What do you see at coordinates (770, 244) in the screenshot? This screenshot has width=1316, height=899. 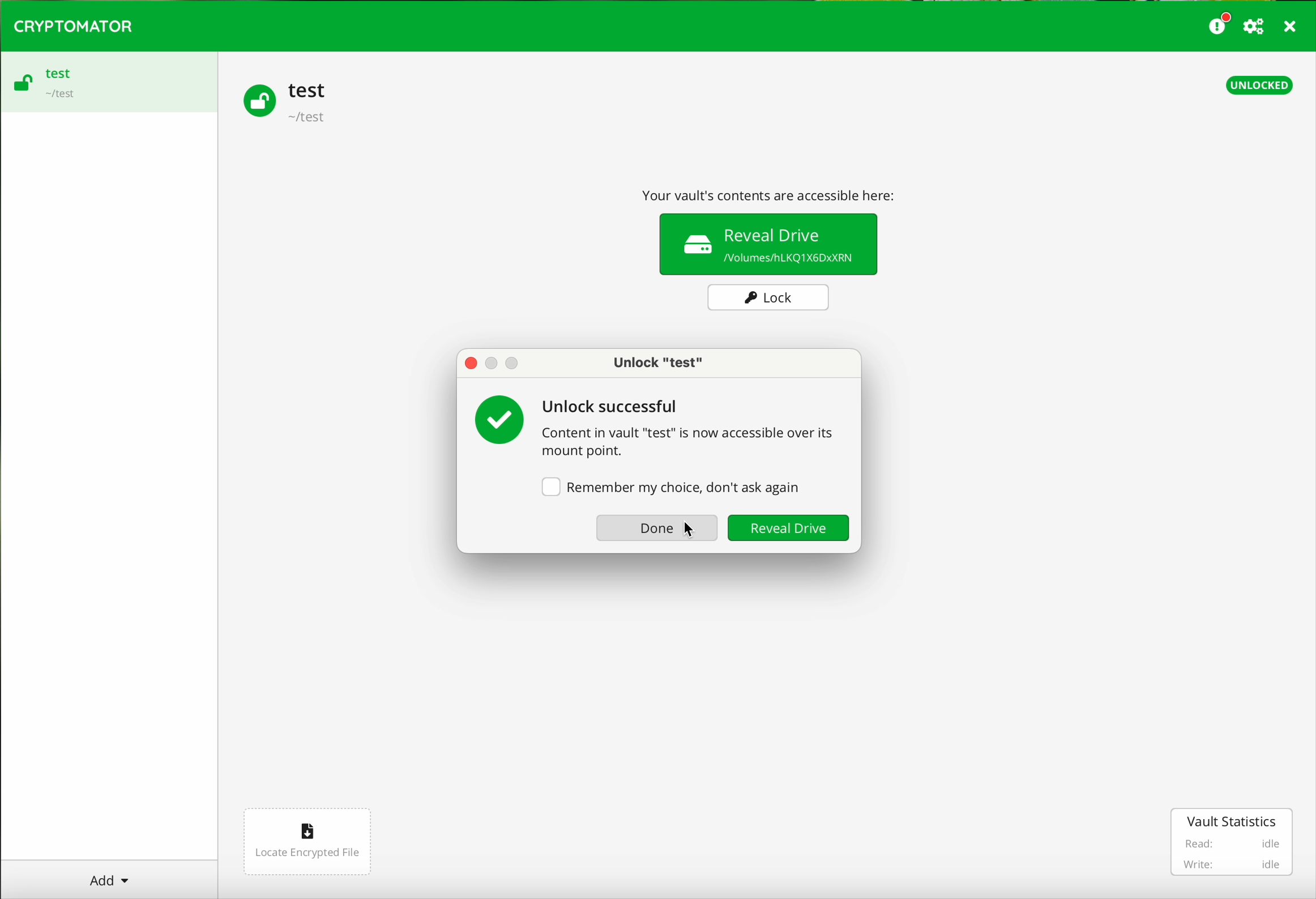 I see `reveal drive` at bounding box center [770, 244].